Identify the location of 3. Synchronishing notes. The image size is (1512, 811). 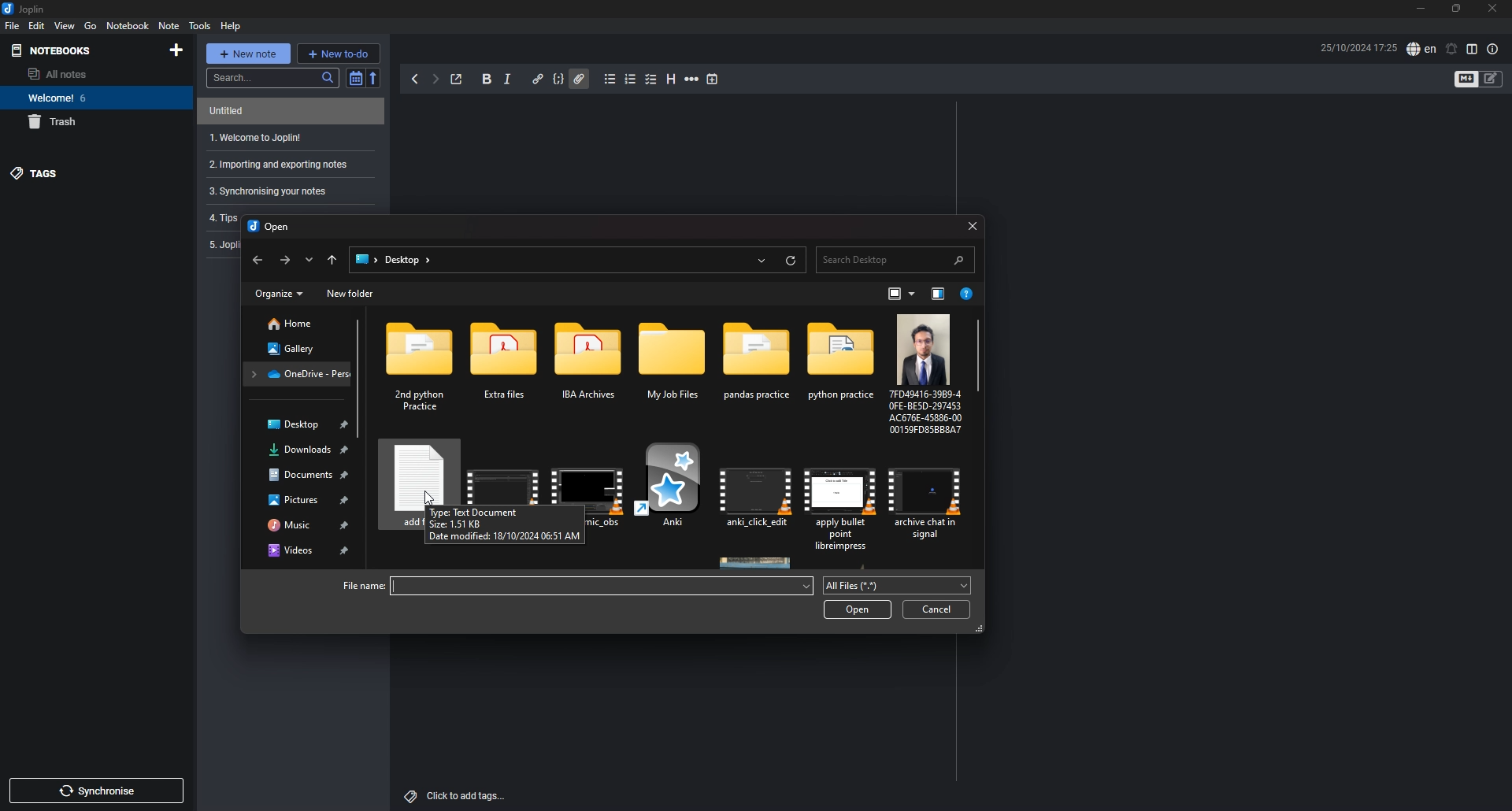
(284, 191).